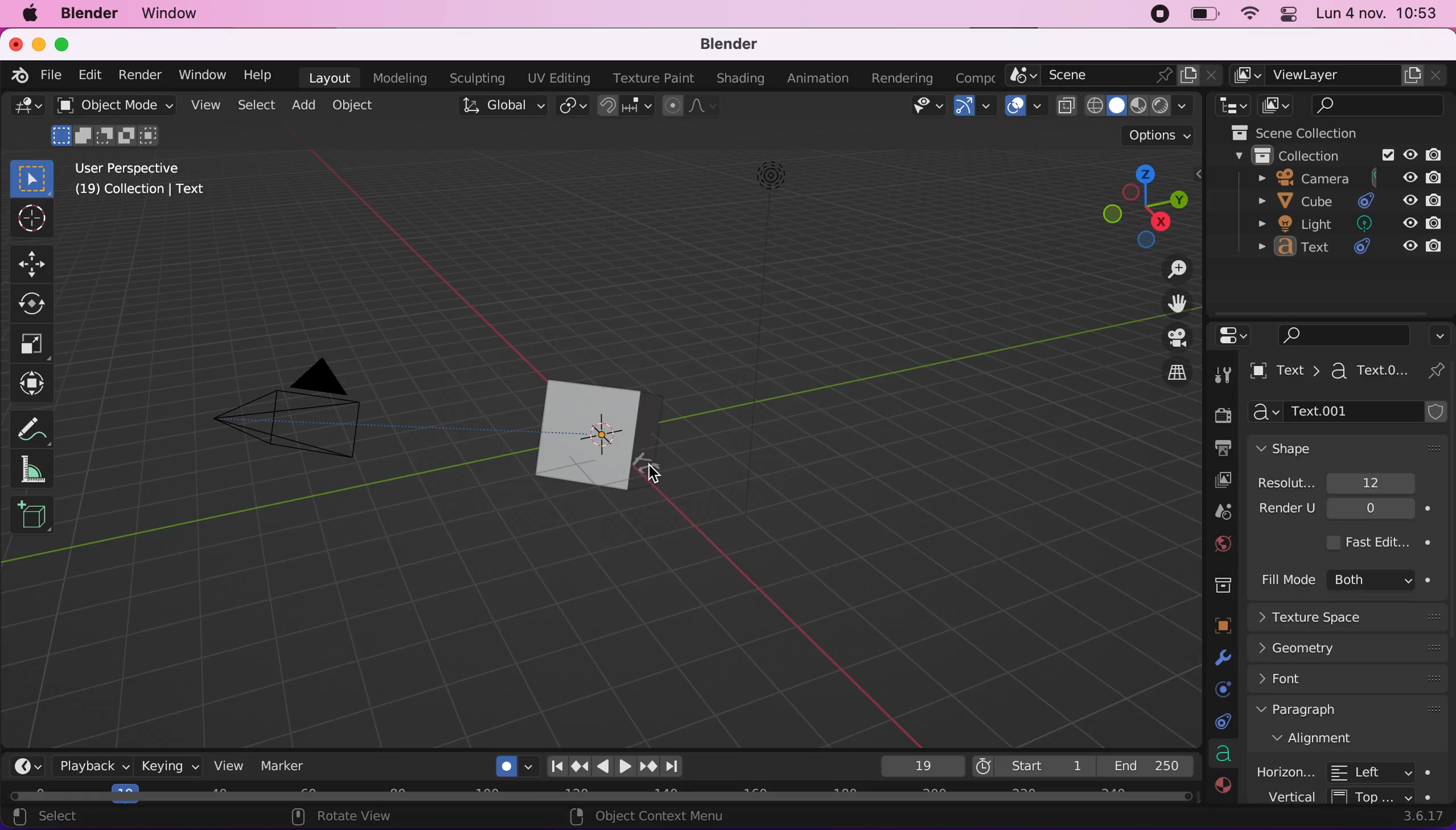 The image size is (1456, 830). I want to click on shape, so click(1346, 448).